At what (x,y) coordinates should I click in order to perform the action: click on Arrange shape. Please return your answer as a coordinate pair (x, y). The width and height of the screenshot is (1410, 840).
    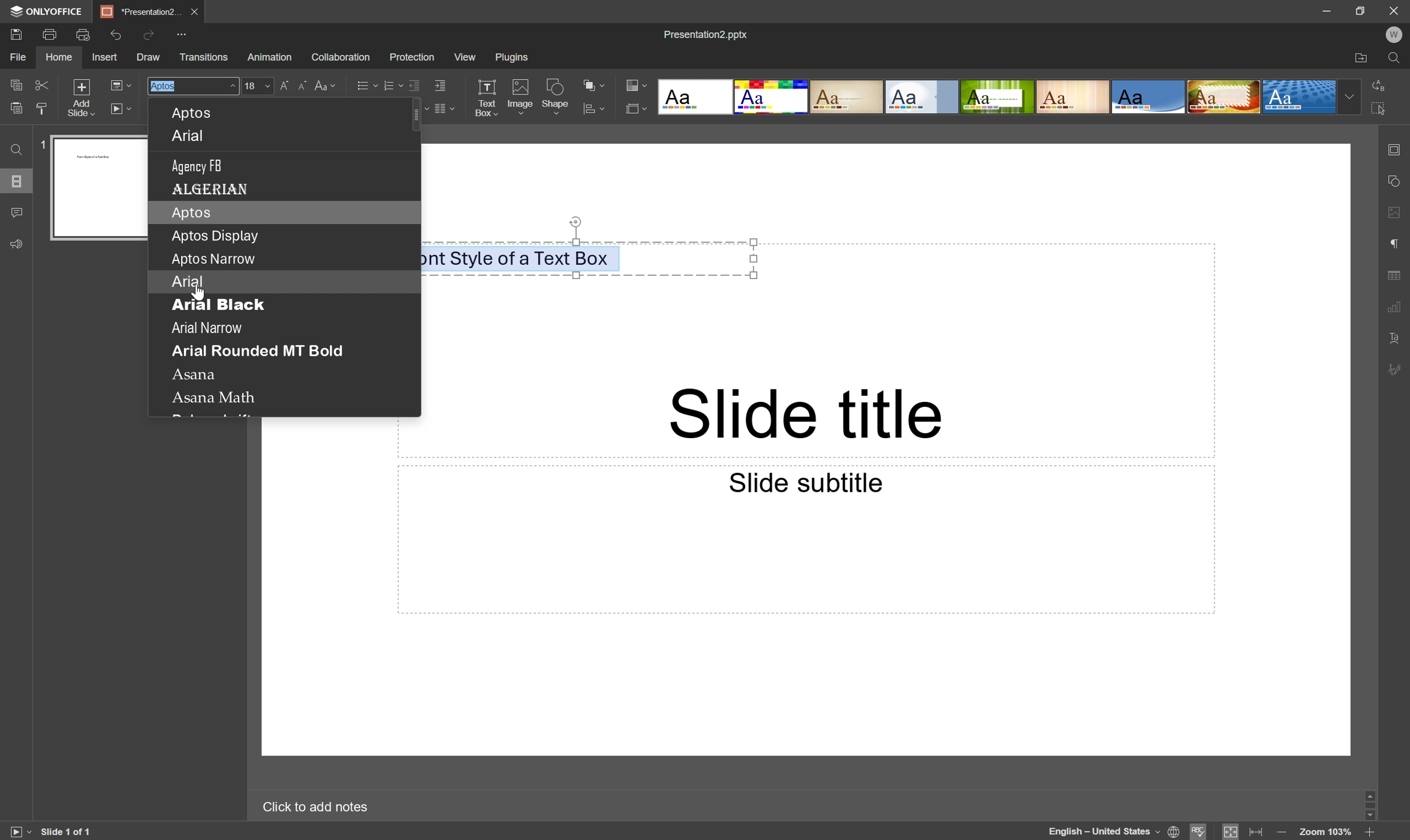
    Looking at the image, I should click on (593, 83).